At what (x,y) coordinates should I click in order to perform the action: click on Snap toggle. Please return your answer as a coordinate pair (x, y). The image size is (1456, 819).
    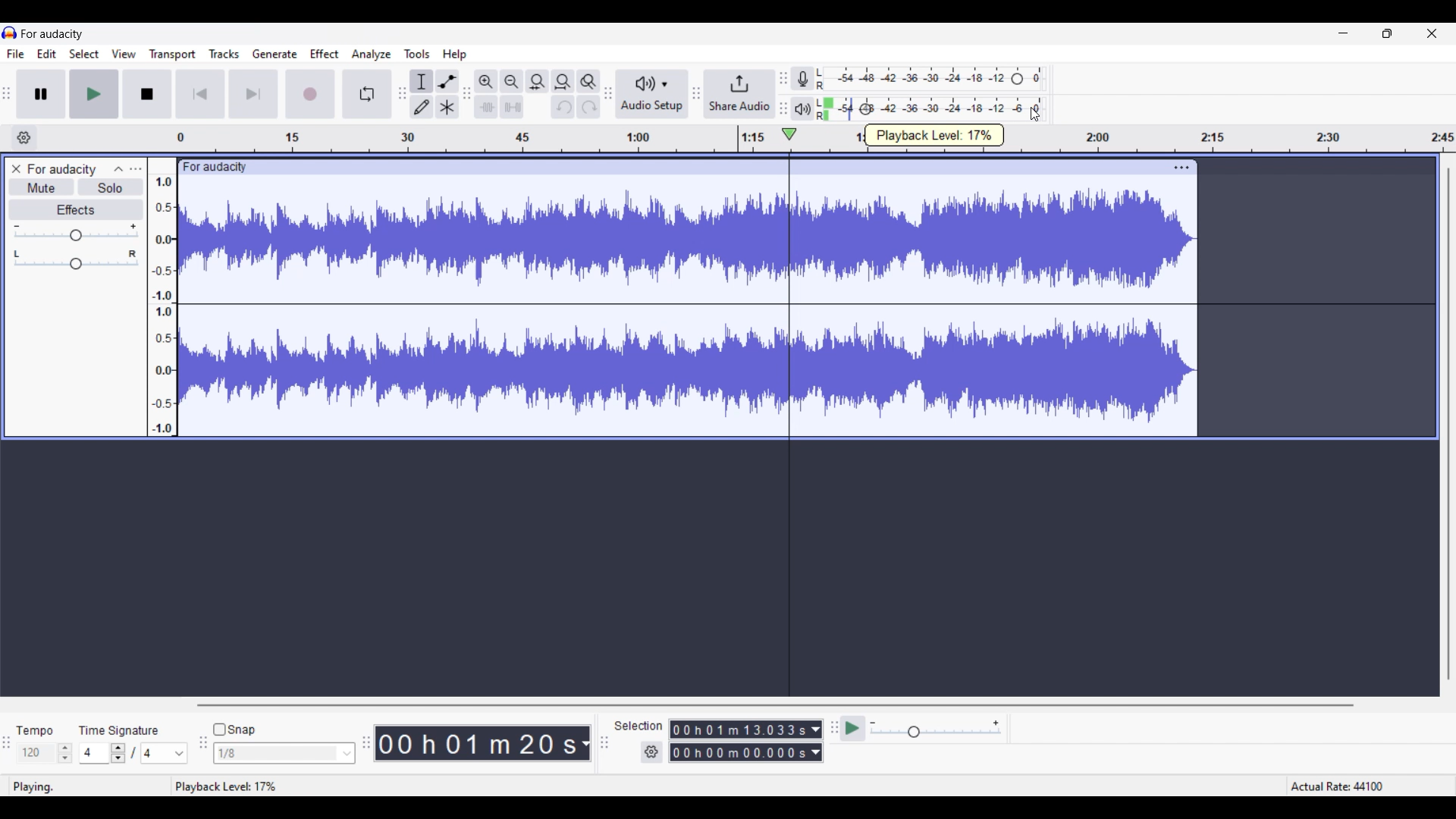
    Looking at the image, I should click on (234, 730).